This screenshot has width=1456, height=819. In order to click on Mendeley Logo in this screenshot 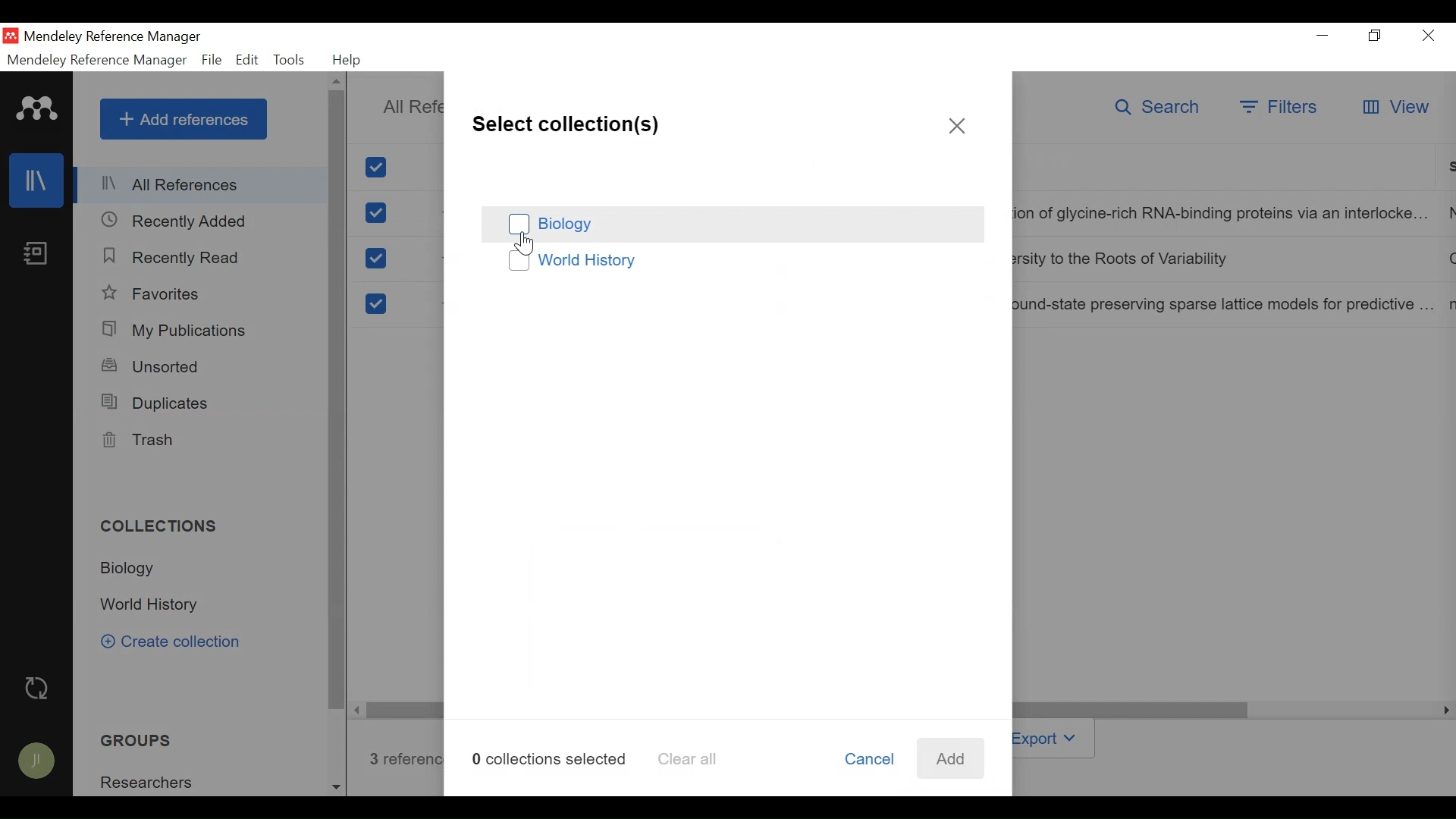, I will do `click(37, 111)`.